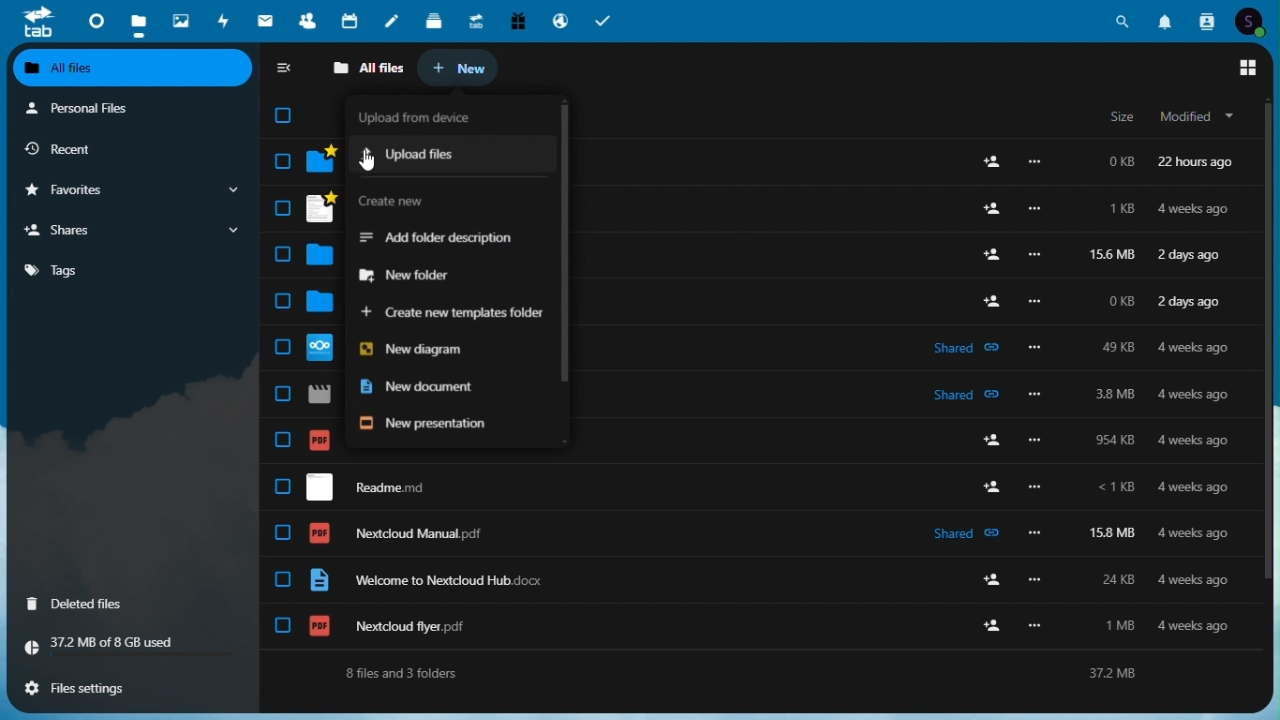 The image size is (1280, 720). Describe the element at coordinates (1250, 20) in the screenshot. I see `Account icon` at that location.